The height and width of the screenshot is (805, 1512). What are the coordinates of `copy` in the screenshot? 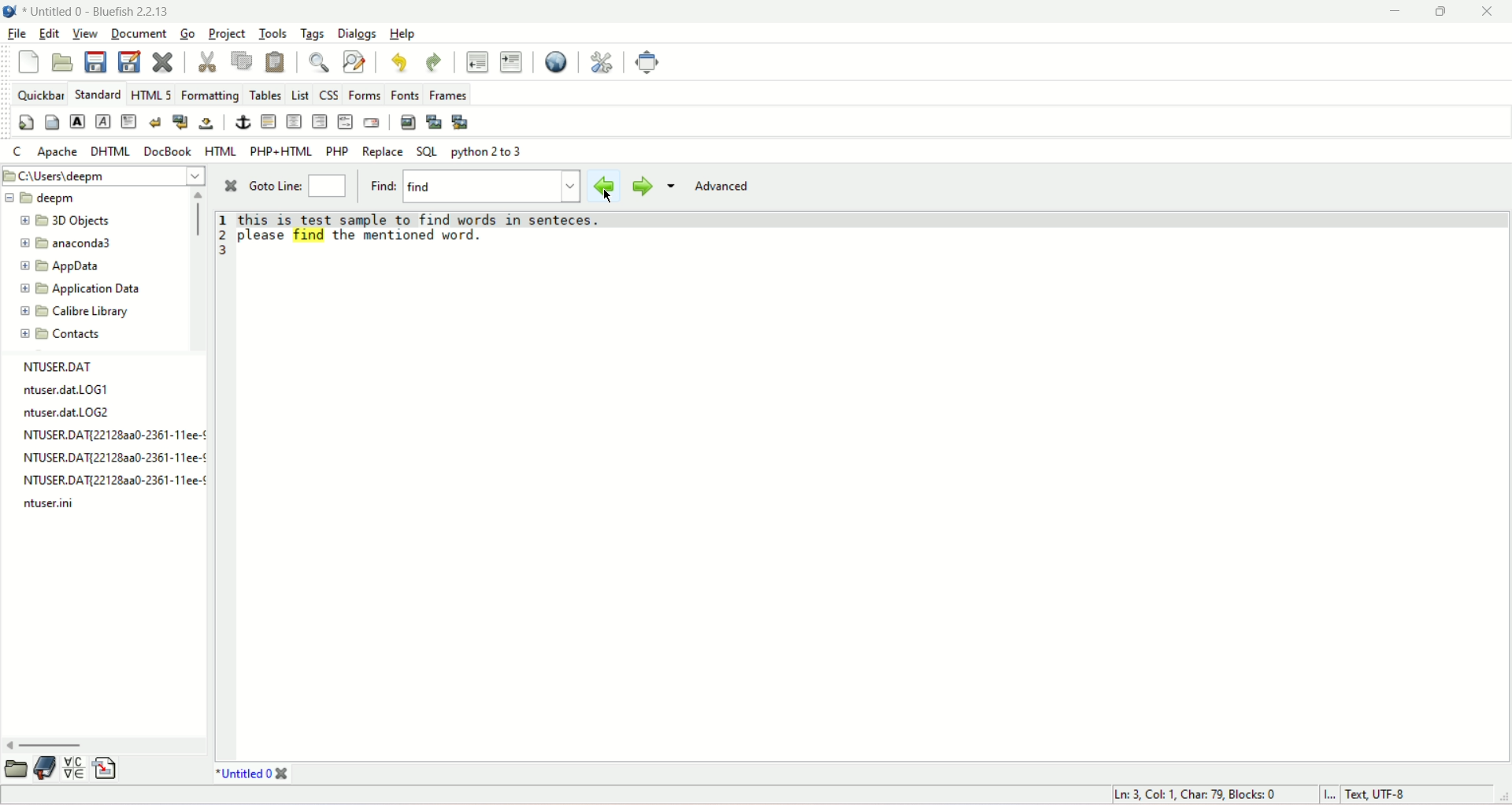 It's located at (242, 61).